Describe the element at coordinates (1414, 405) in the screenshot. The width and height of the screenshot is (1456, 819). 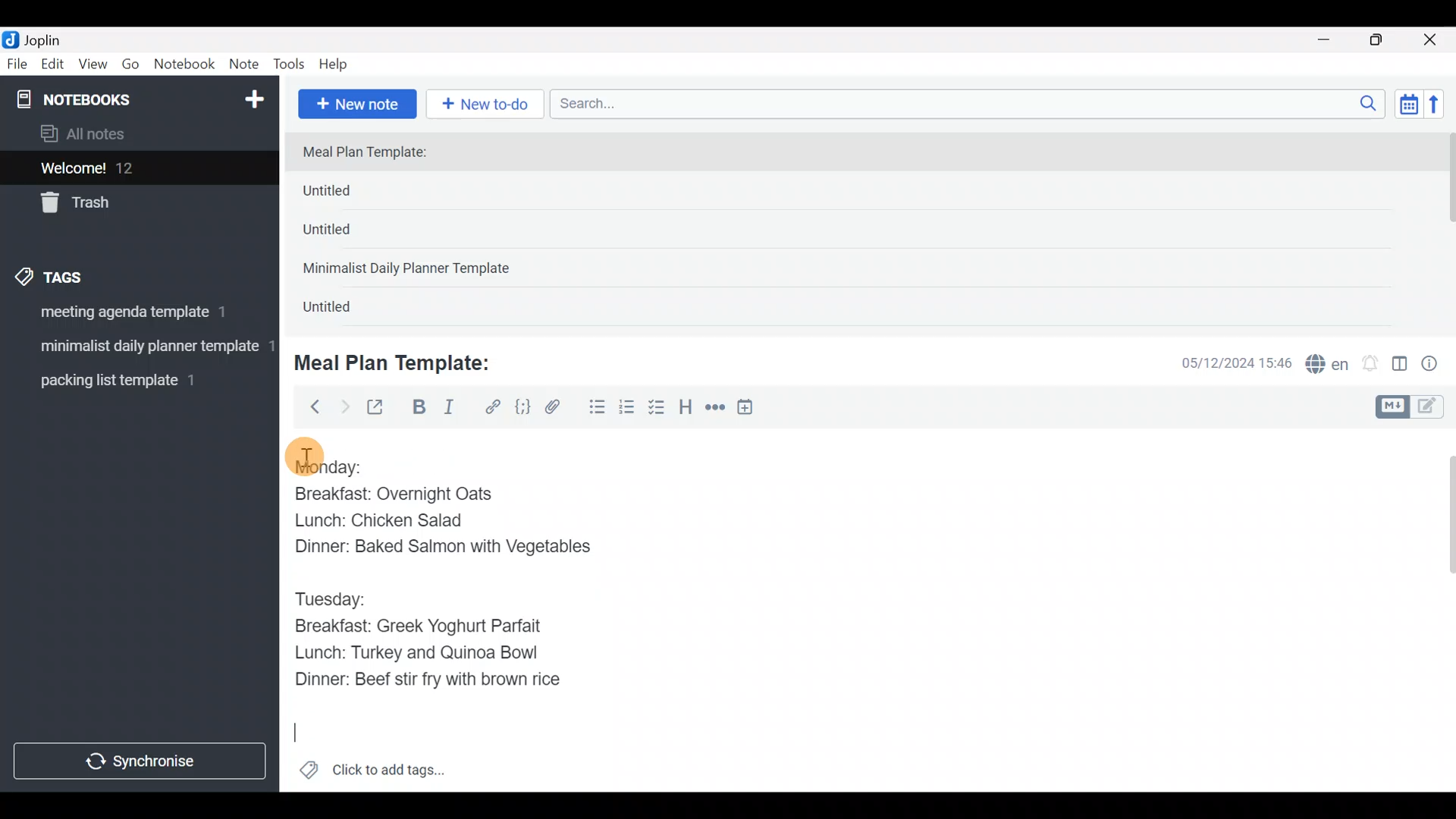
I see `Toggle editors` at that location.